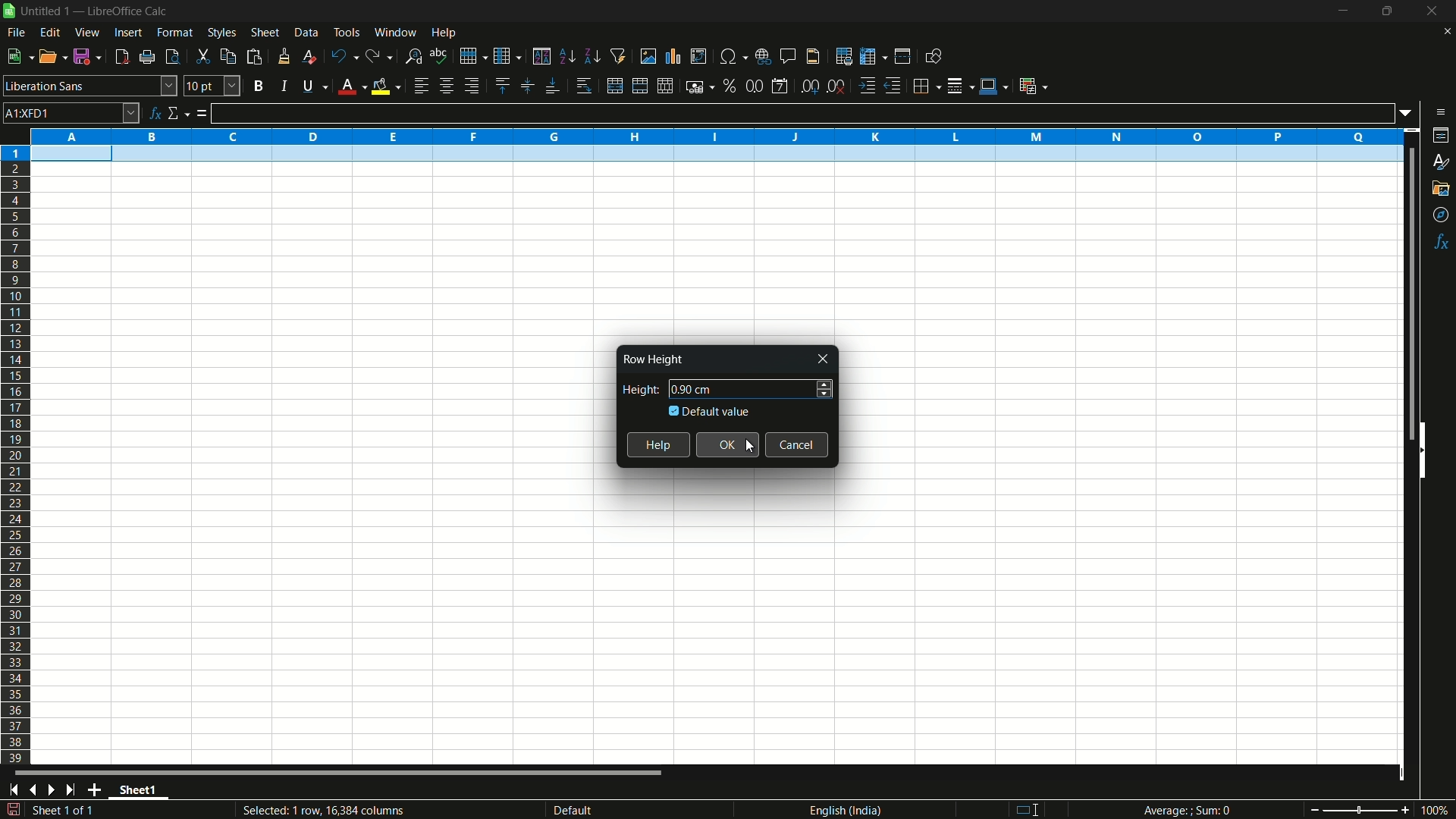  I want to click on view menu, so click(88, 33).